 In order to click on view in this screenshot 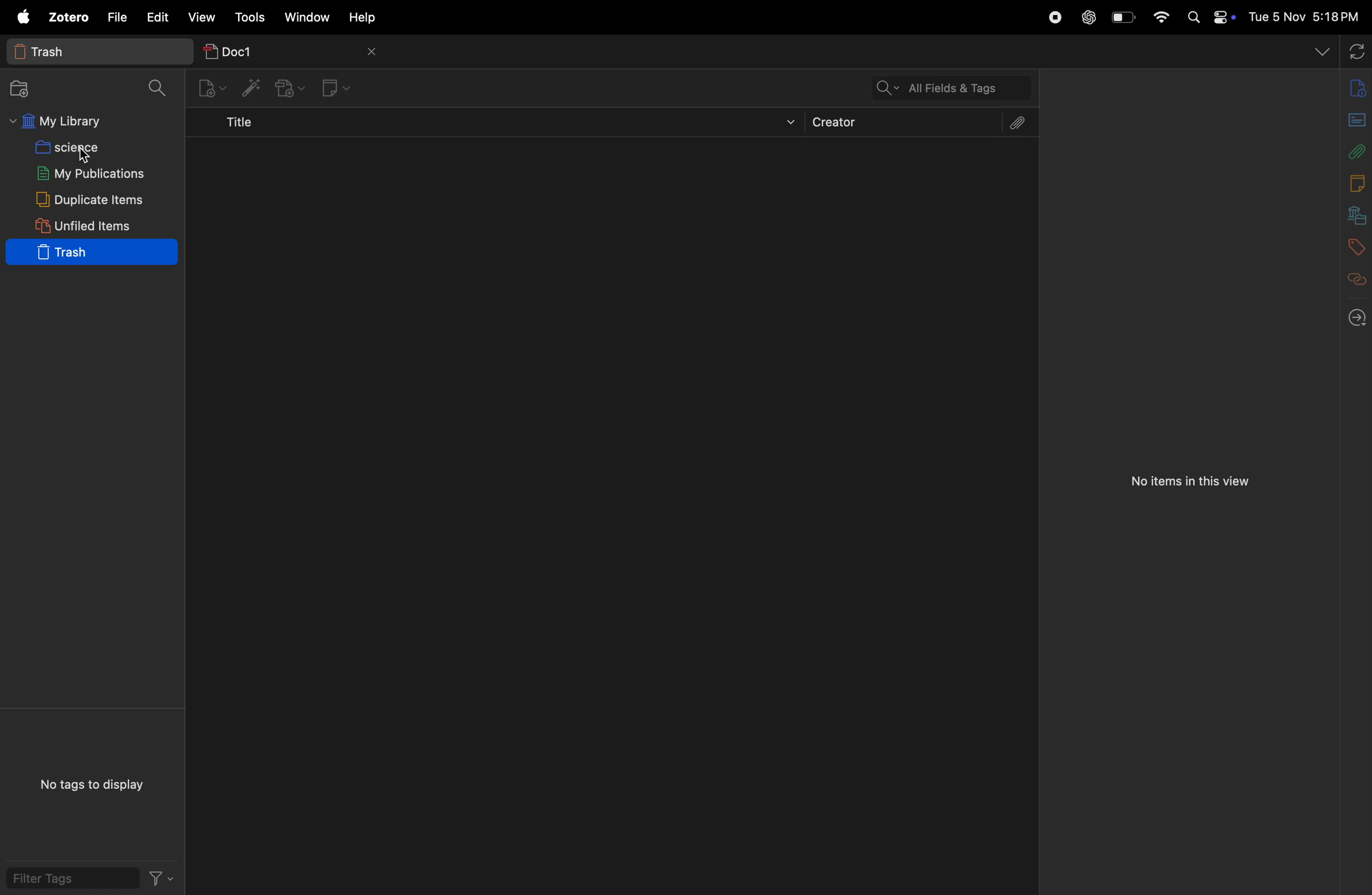, I will do `click(202, 17)`.